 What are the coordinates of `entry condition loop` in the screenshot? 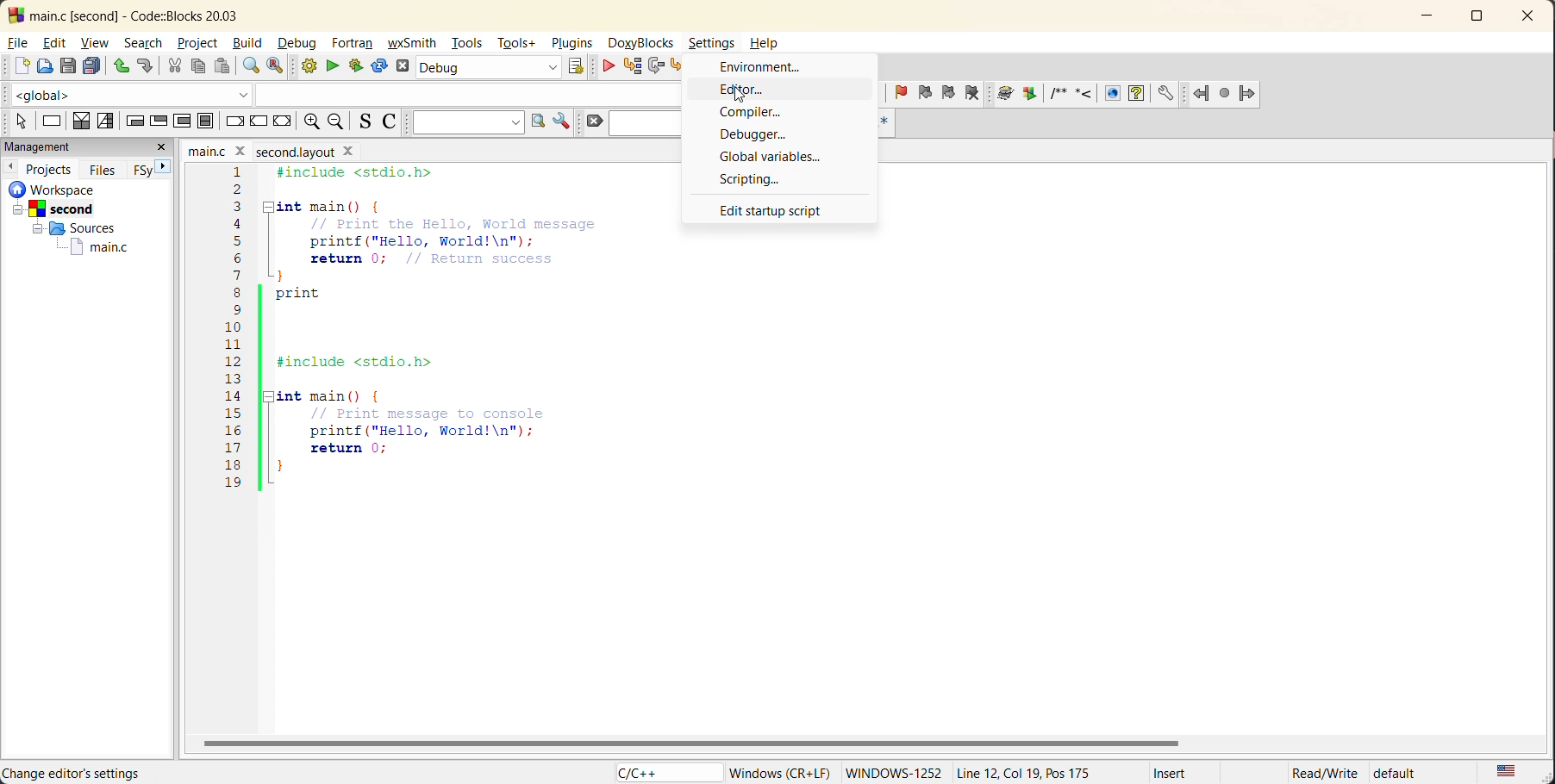 It's located at (134, 122).